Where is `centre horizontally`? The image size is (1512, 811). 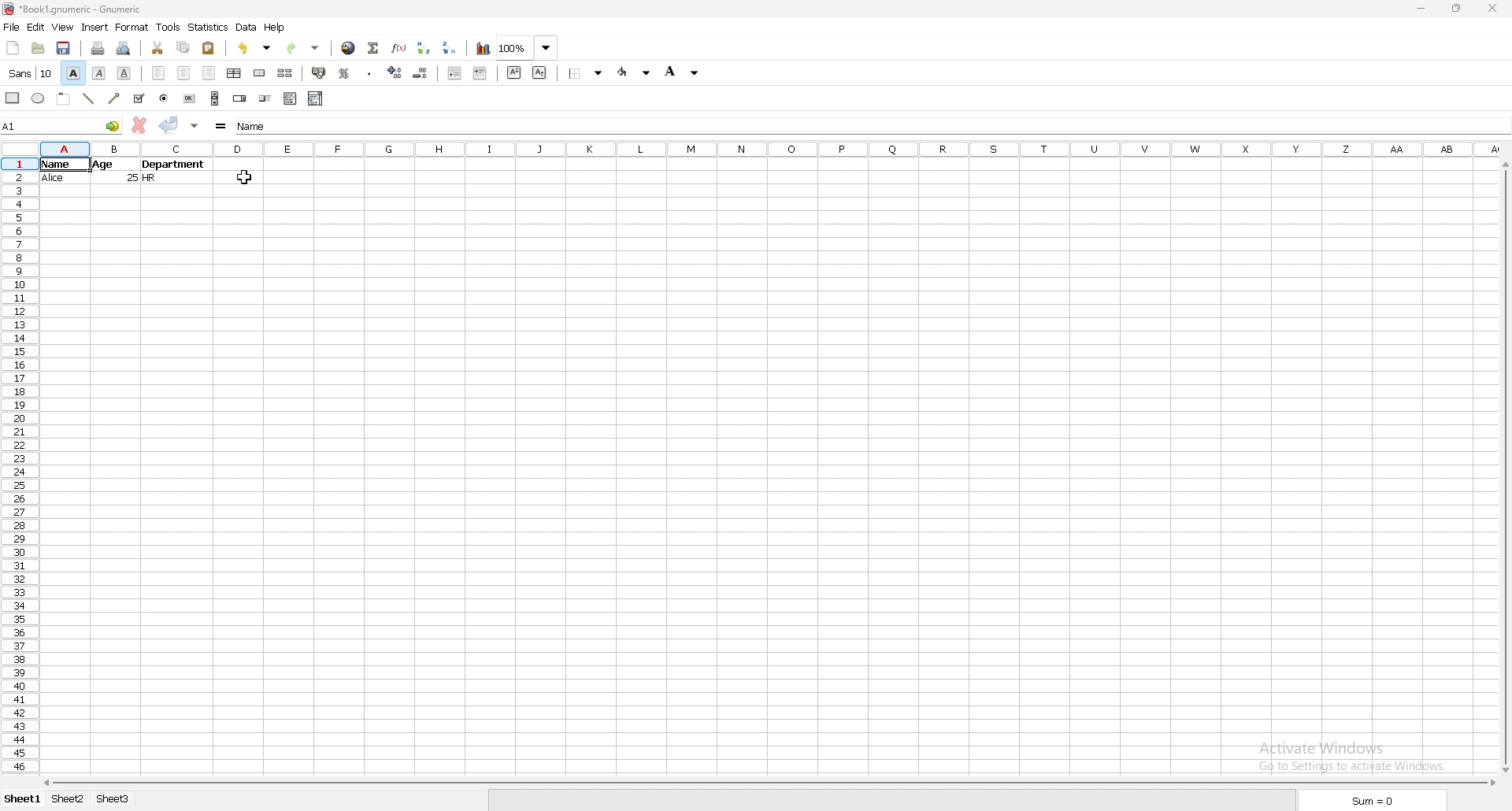 centre horizontally is located at coordinates (235, 73).